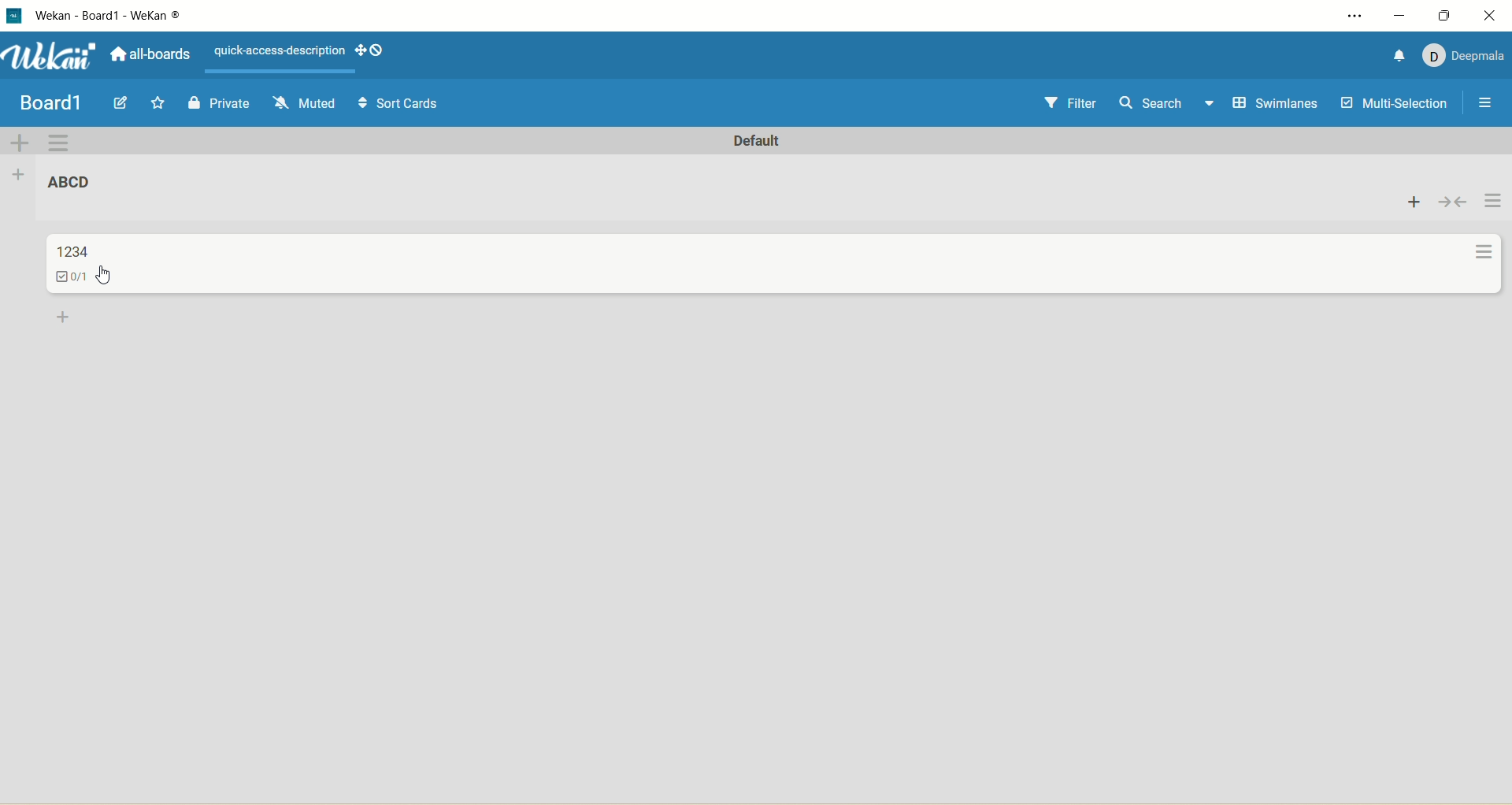 This screenshot has height=805, width=1512. What do you see at coordinates (303, 104) in the screenshot?
I see `muted` at bounding box center [303, 104].